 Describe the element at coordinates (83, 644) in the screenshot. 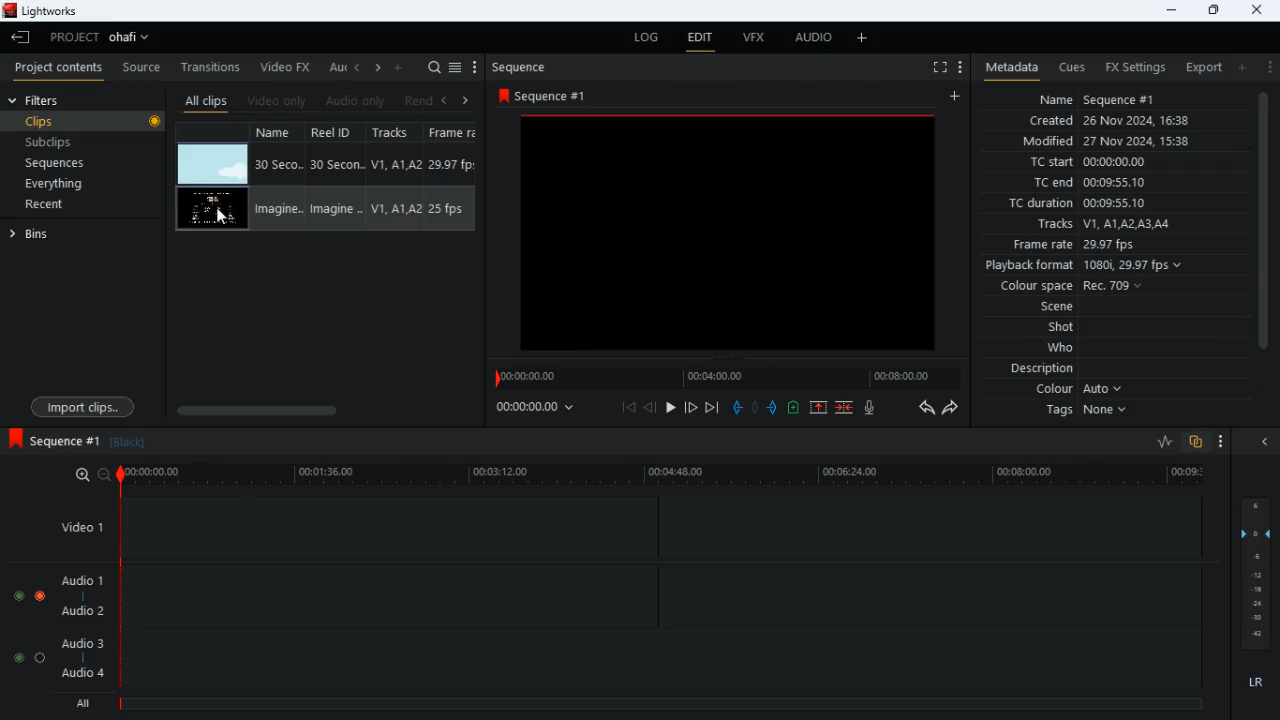

I see `audio 3` at that location.